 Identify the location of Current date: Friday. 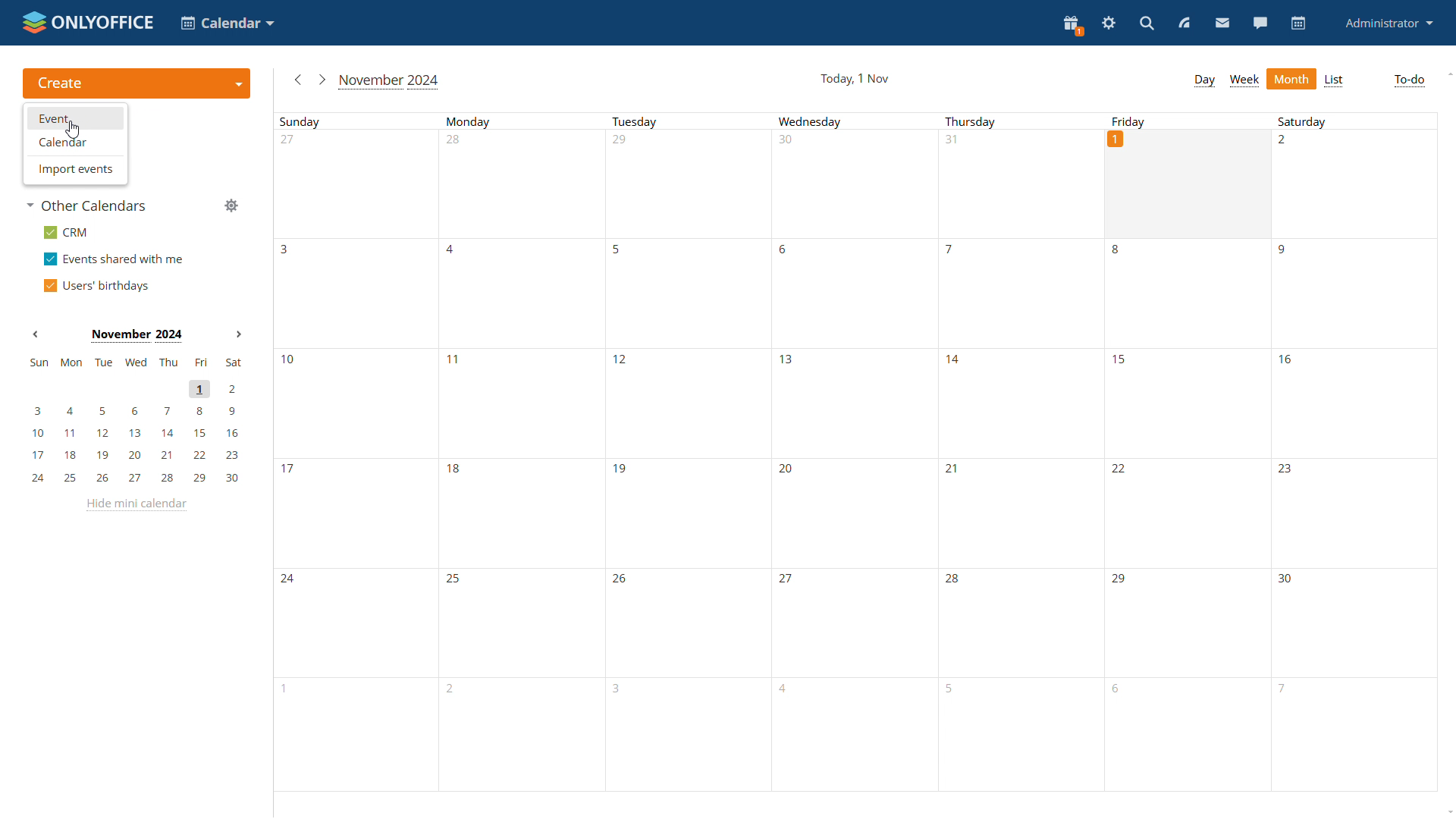
(1189, 184).